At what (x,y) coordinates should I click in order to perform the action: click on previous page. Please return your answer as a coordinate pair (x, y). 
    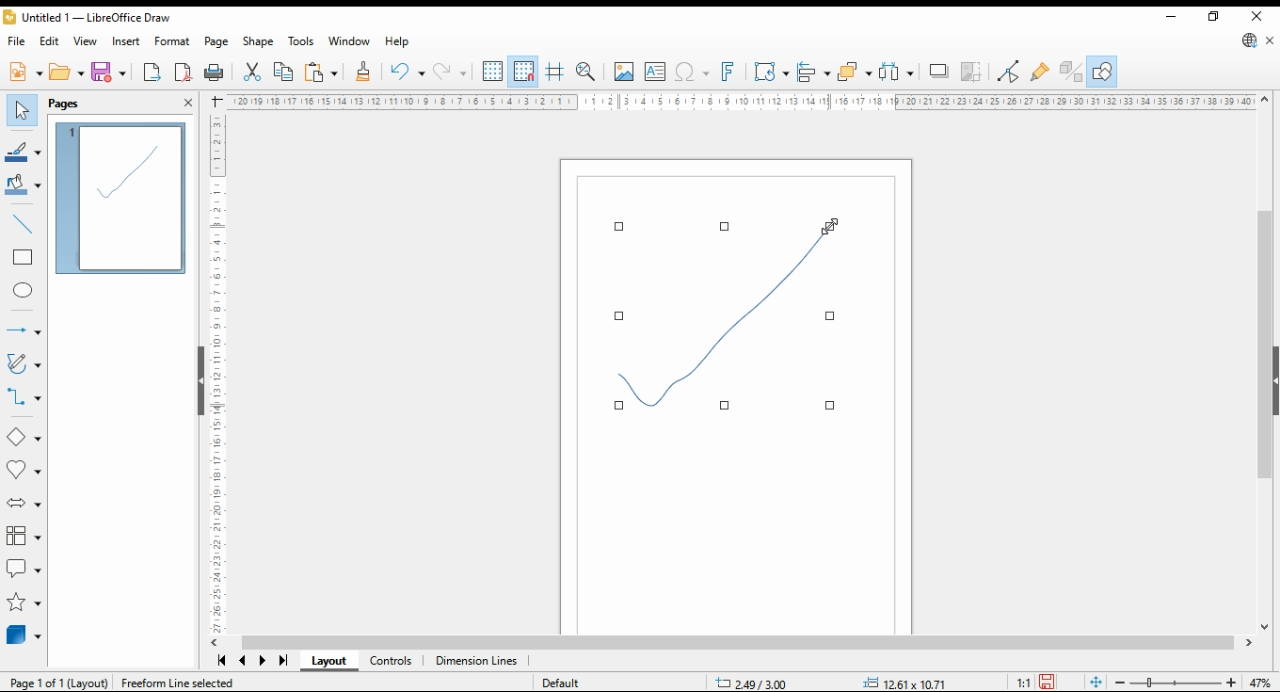
    Looking at the image, I should click on (242, 661).